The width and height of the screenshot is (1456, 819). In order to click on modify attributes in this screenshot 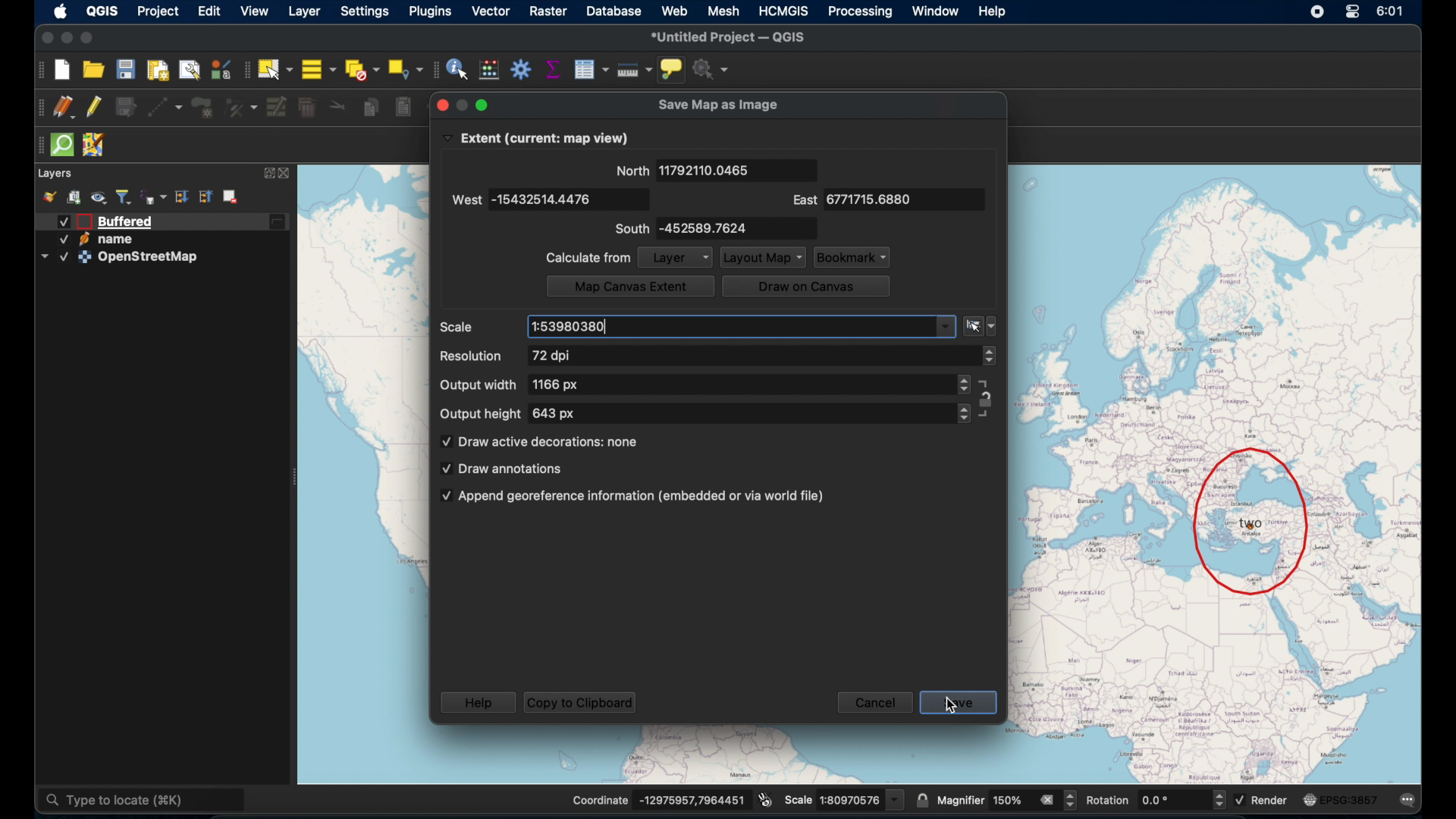, I will do `click(276, 107)`.